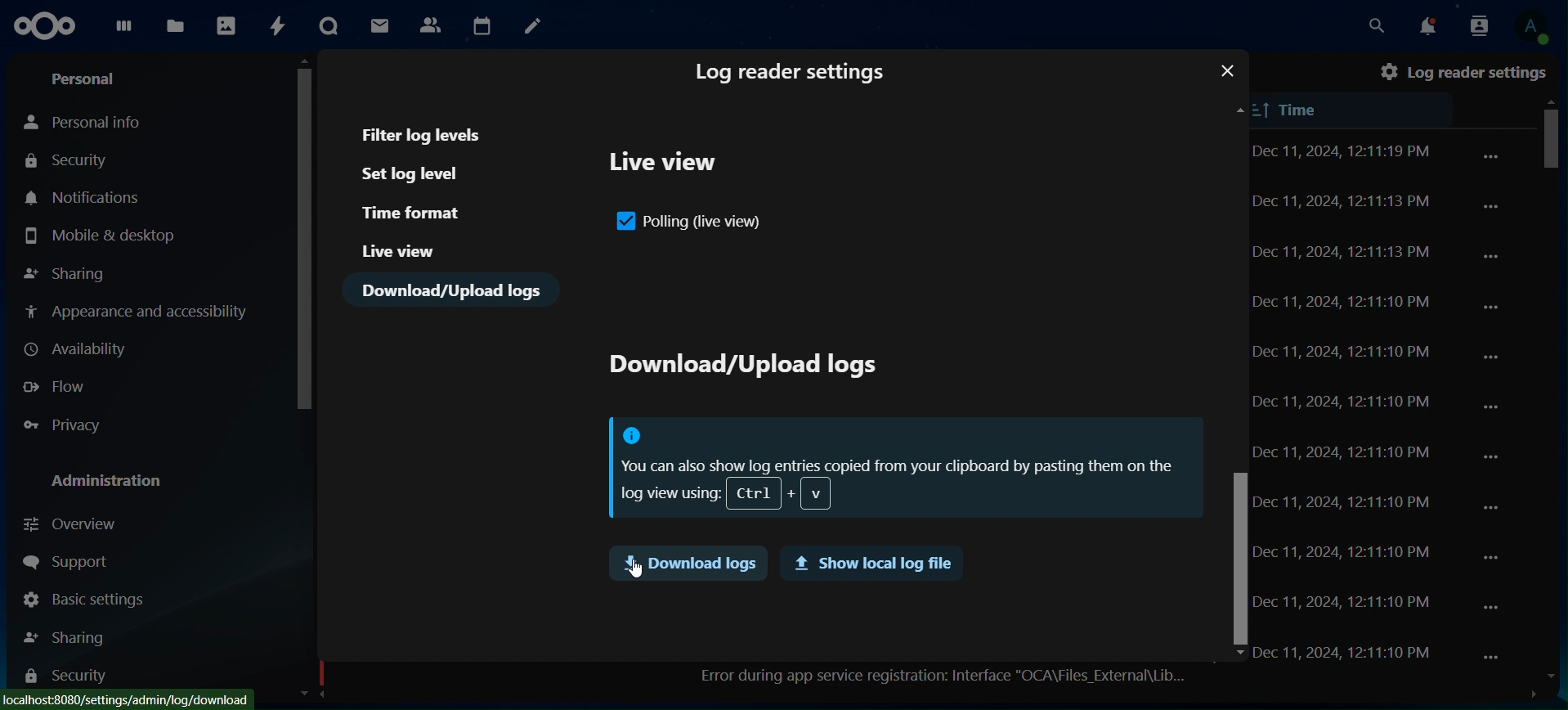 The image size is (1568, 710). Describe the element at coordinates (100, 236) in the screenshot. I see `mobile & desktop` at that location.